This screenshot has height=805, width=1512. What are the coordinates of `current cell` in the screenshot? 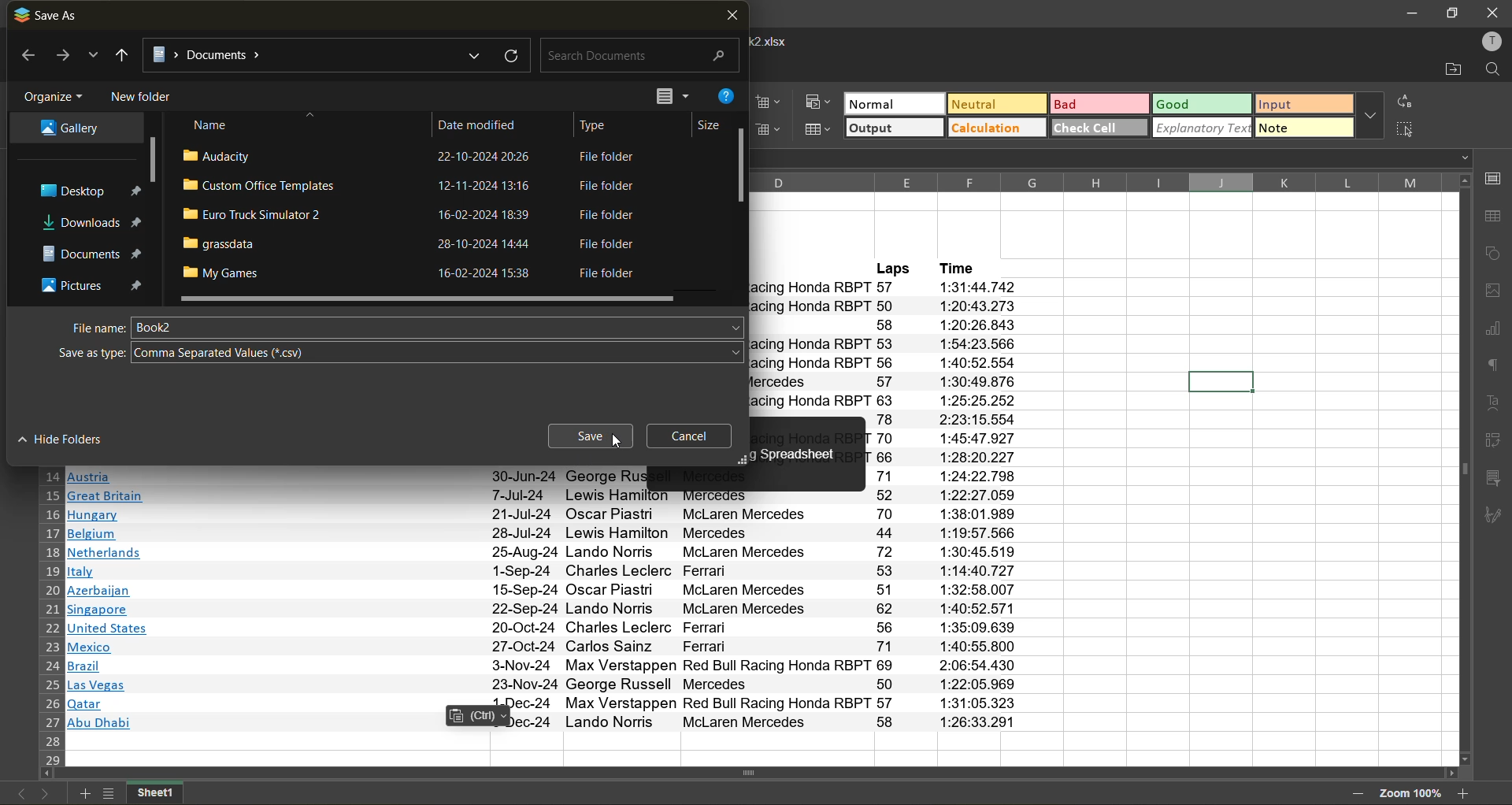 It's located at (1218, 380).